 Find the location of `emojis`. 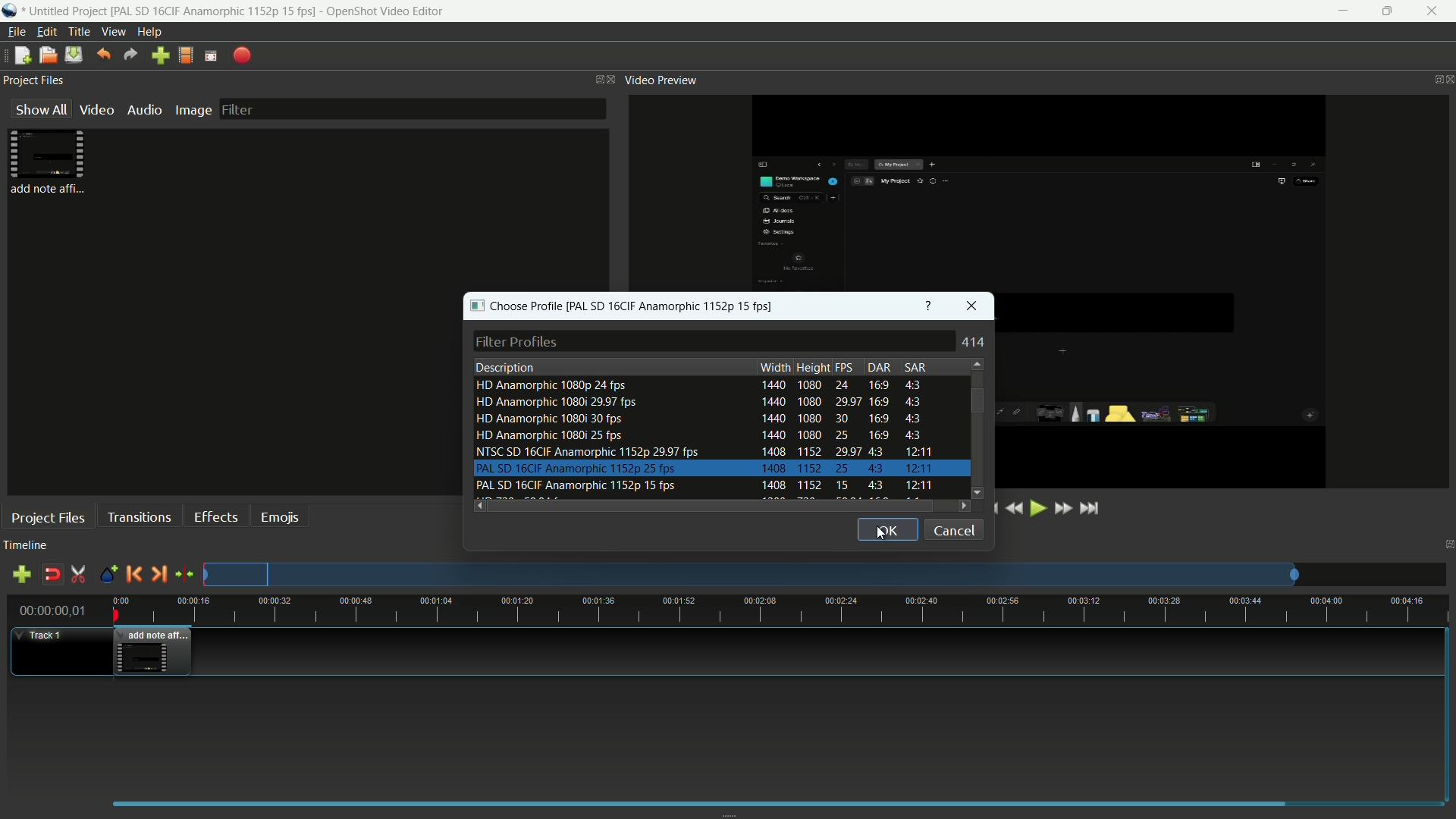

emojis is located at coordinates (280, 516).